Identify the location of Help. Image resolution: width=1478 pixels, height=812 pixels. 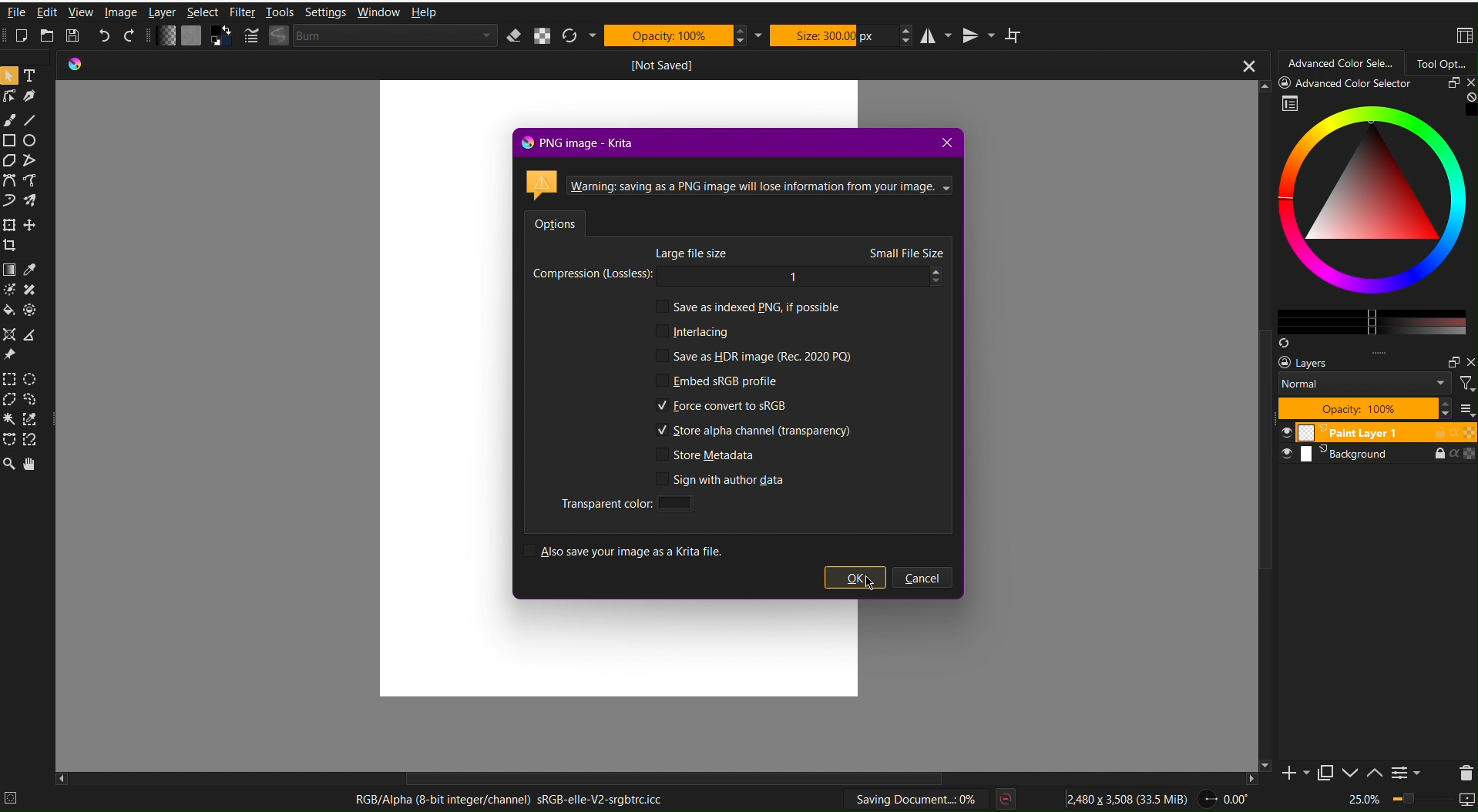
(424, 12).